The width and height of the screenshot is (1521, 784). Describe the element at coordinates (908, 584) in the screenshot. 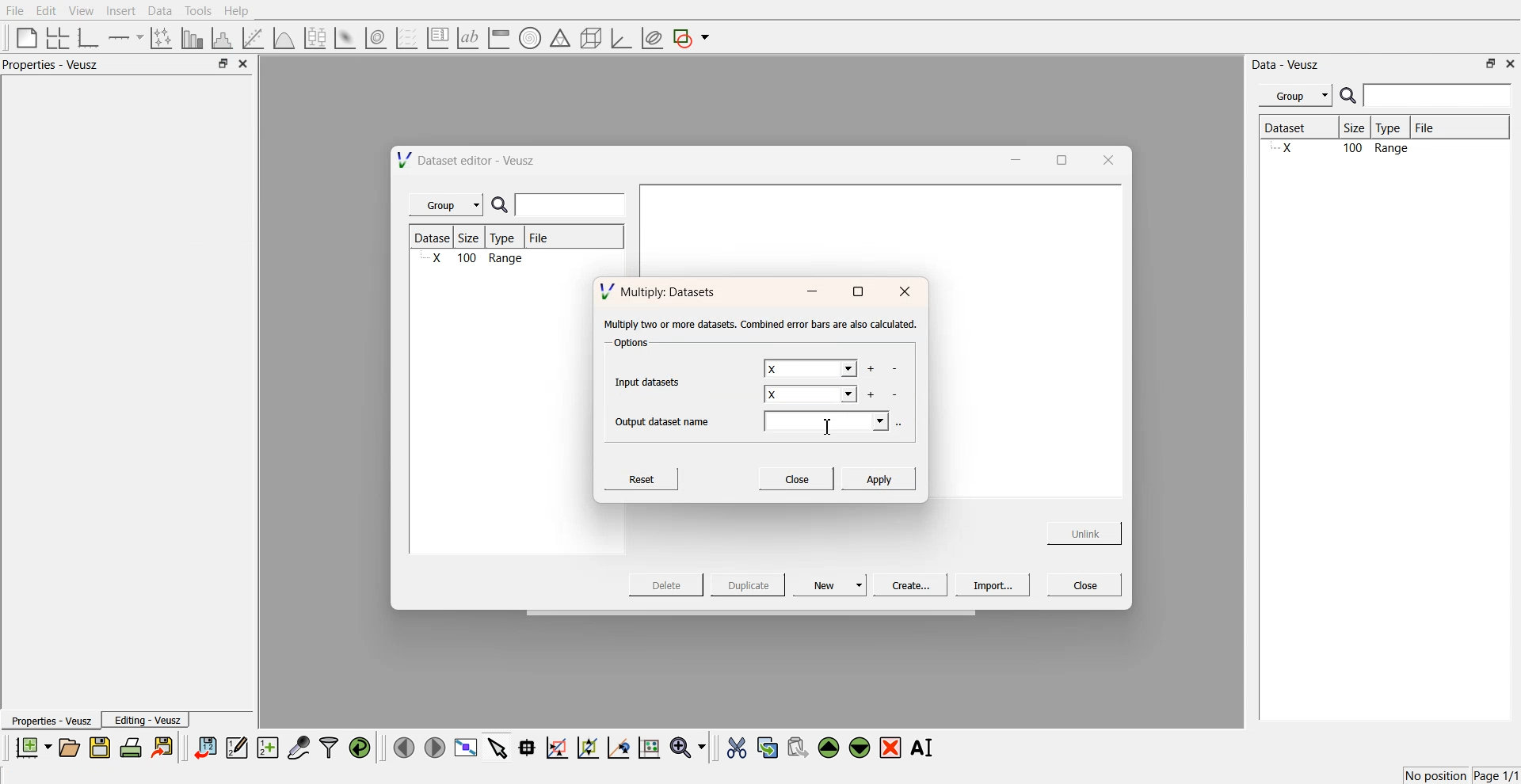

I see `Create...` at that location.